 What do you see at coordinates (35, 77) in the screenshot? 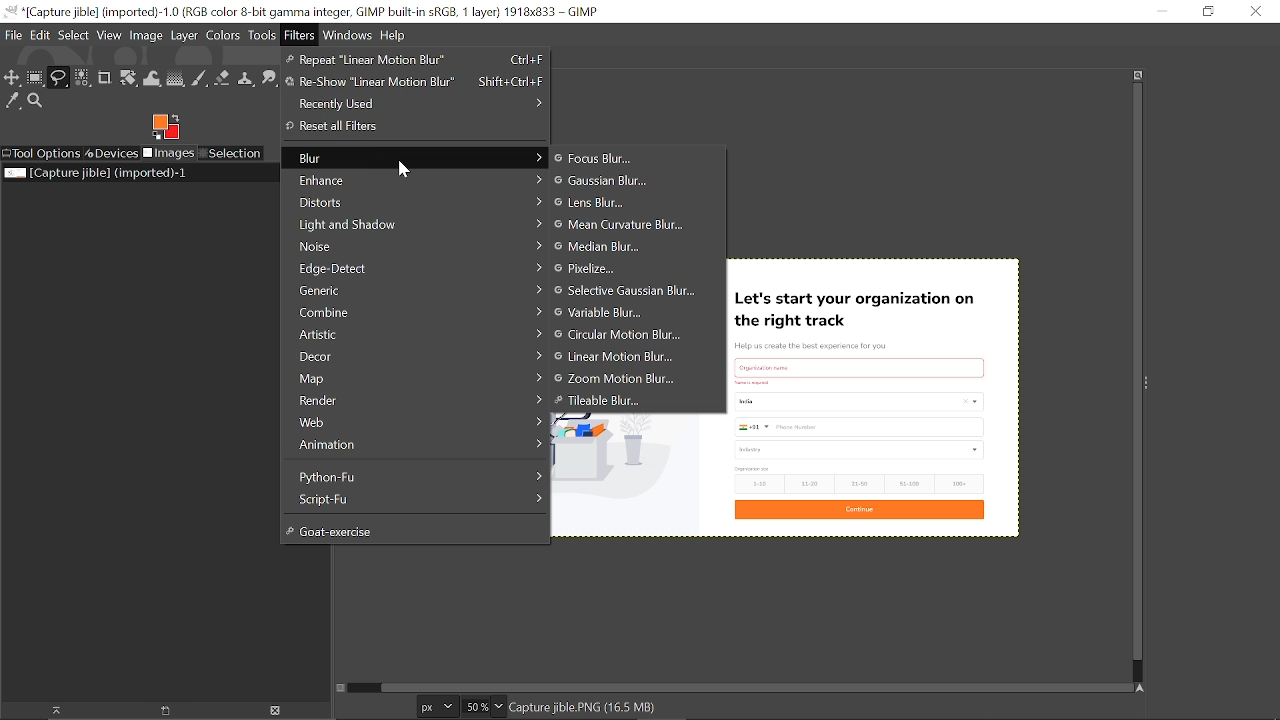
I see `Rectangular select tool` at bounding box center [35, 77].